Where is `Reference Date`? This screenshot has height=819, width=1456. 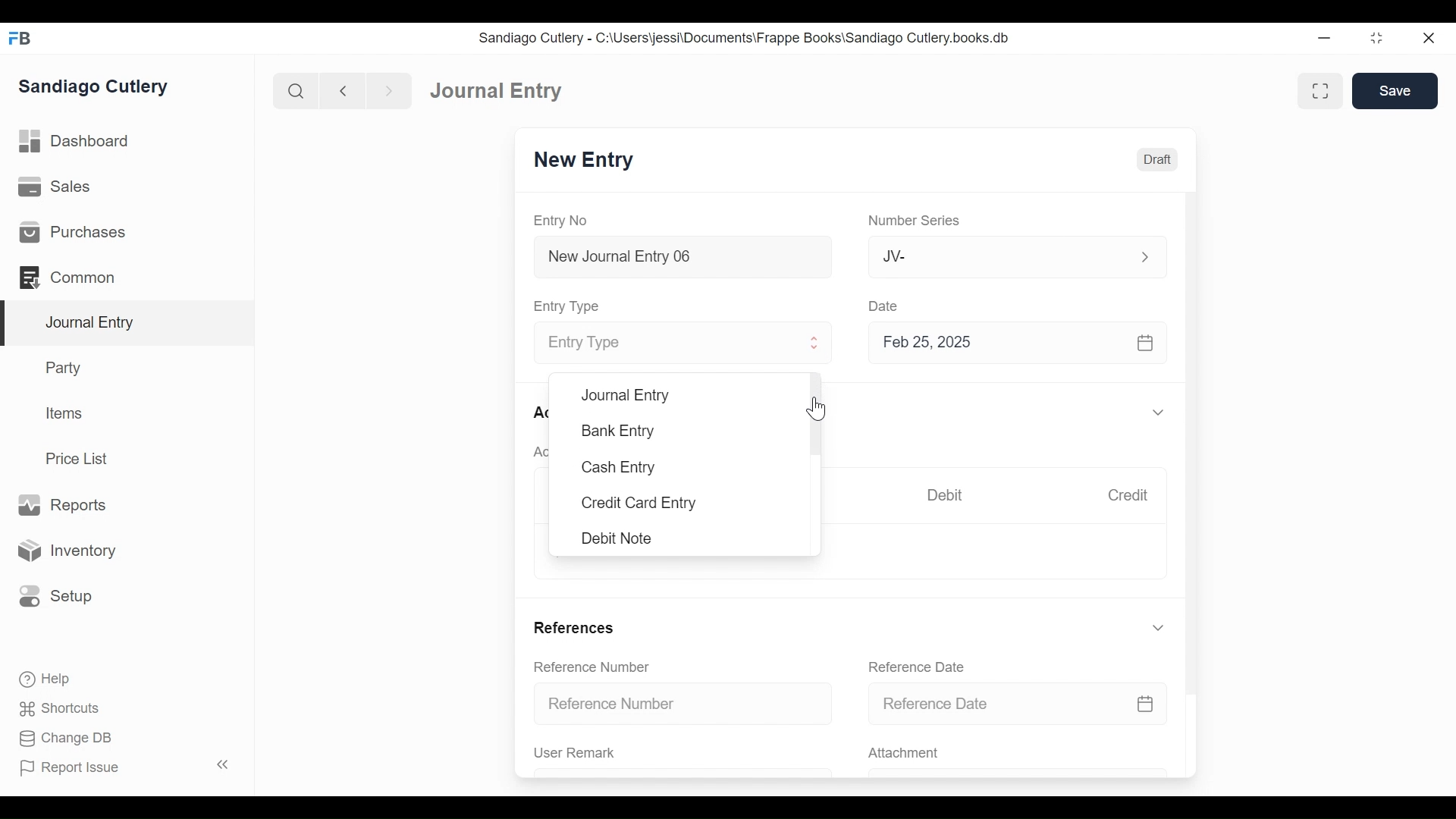
Reference Date is located at coordinates (1017, 702).